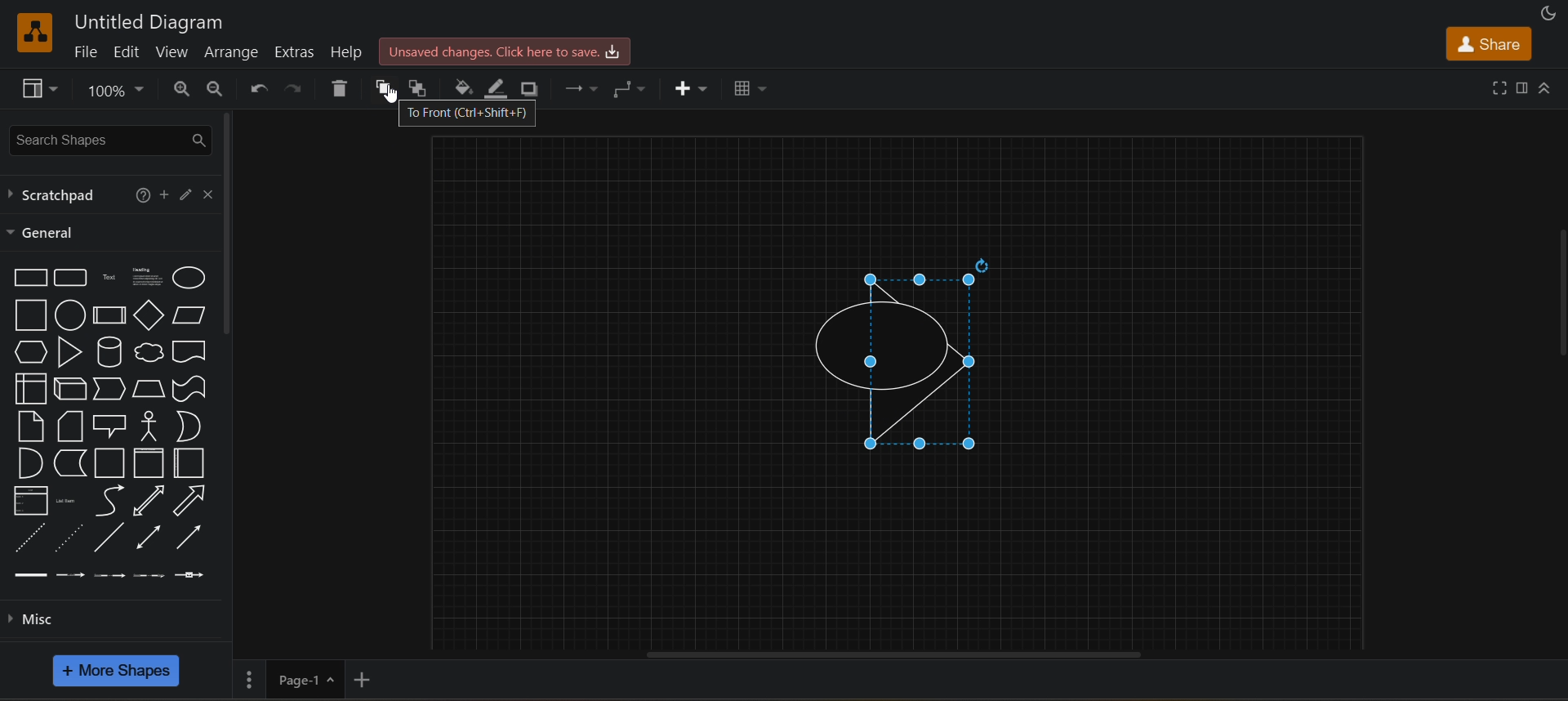 This screenshot has width=1568, height=701. Describe the element at coordinates (150, 575) in the screenshot. I see `connector with 3 label` at that location.